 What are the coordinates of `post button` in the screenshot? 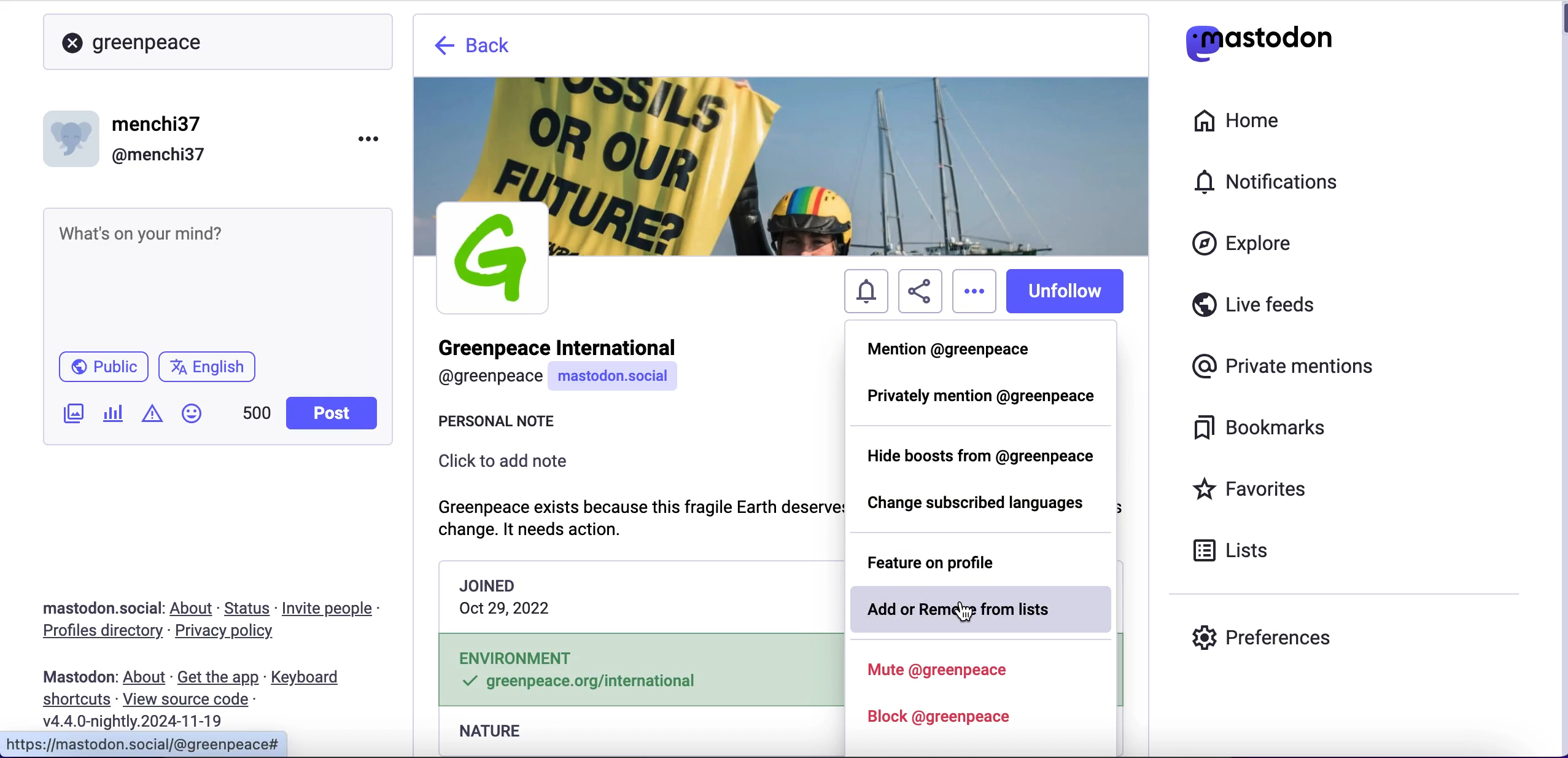 It's located at (335, 413).